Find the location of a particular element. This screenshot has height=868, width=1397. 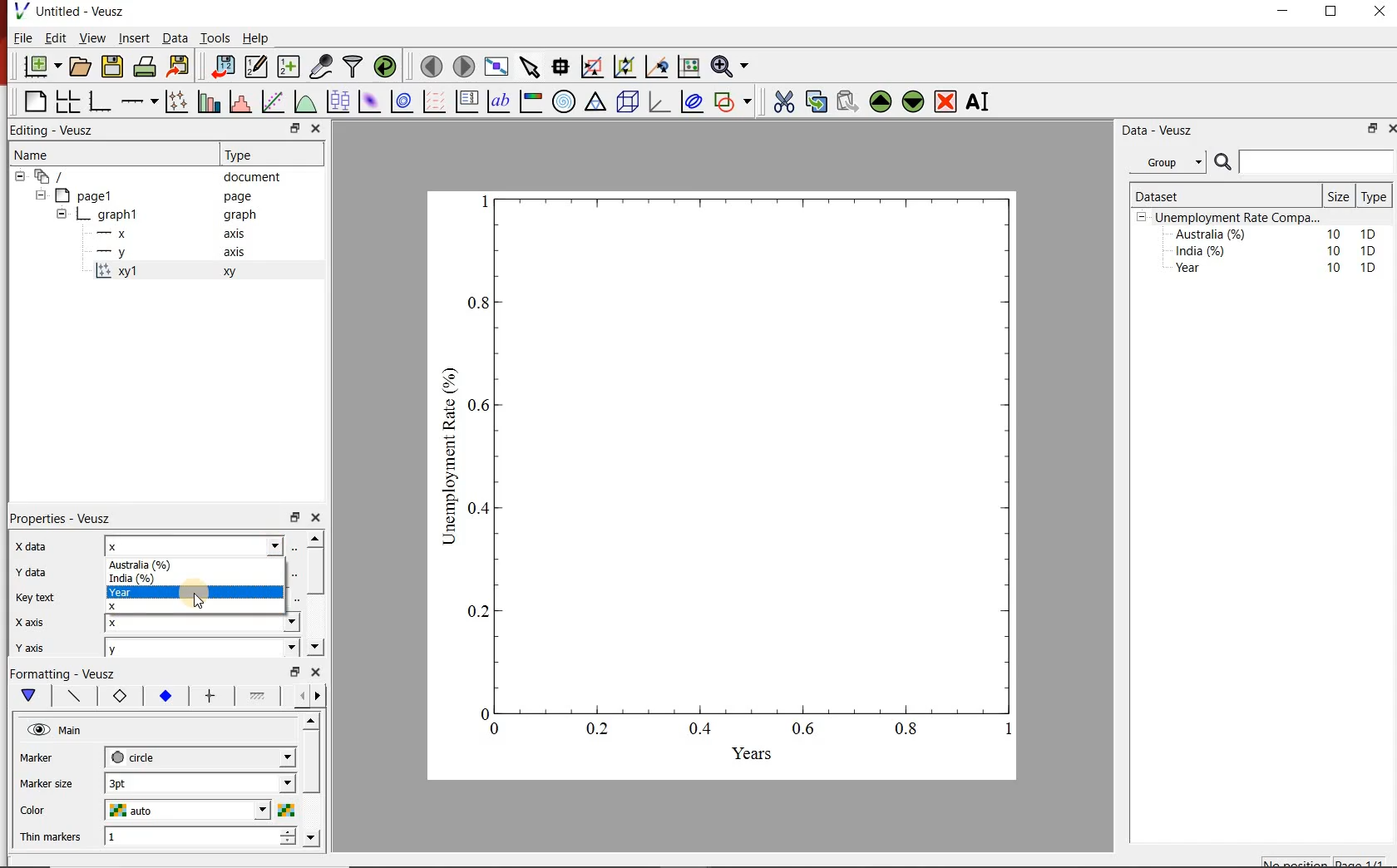

view plot on full screen is located at coordinates (498, 66).